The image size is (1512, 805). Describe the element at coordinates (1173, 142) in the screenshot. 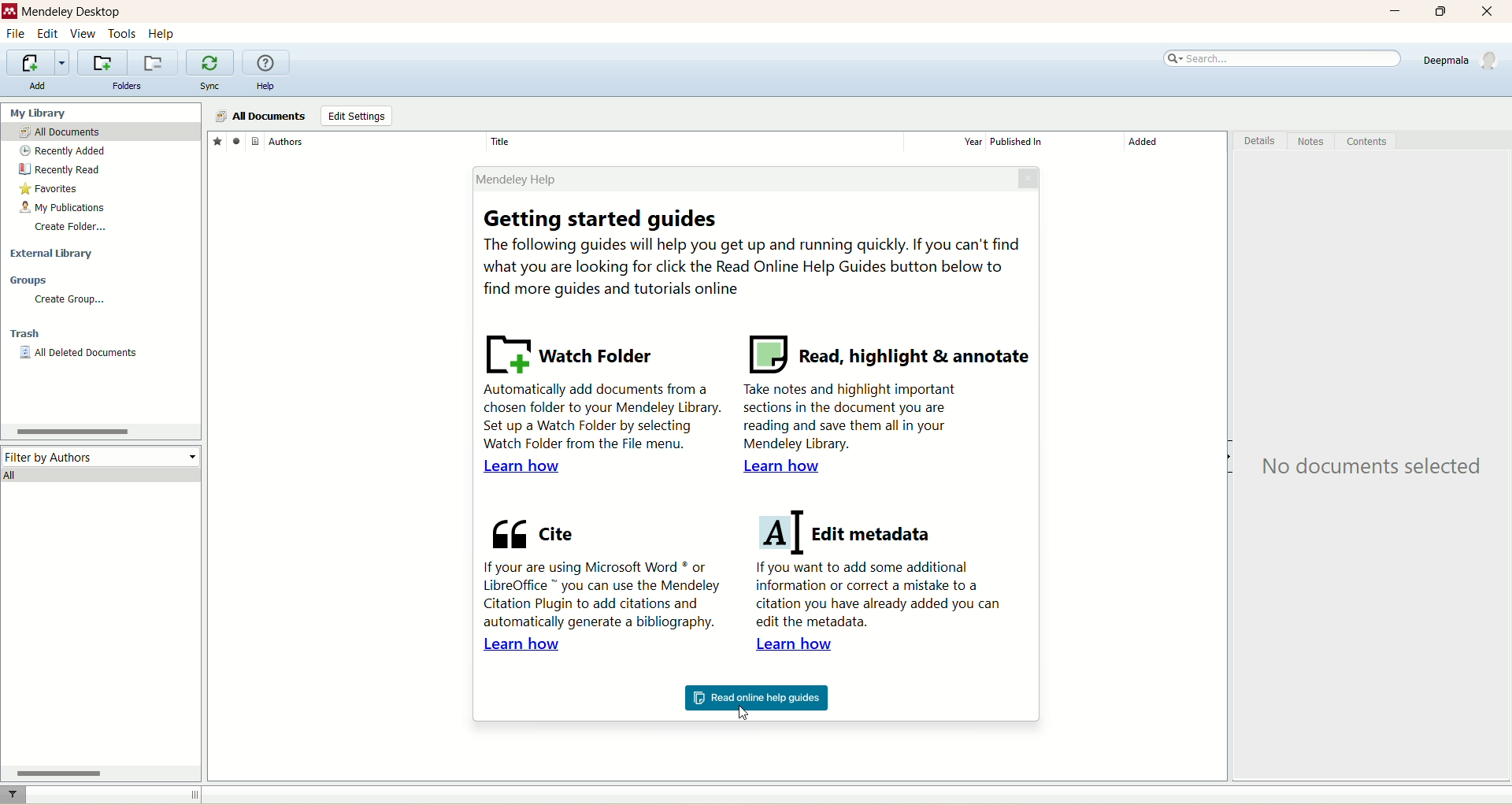

I see `added` at that location.